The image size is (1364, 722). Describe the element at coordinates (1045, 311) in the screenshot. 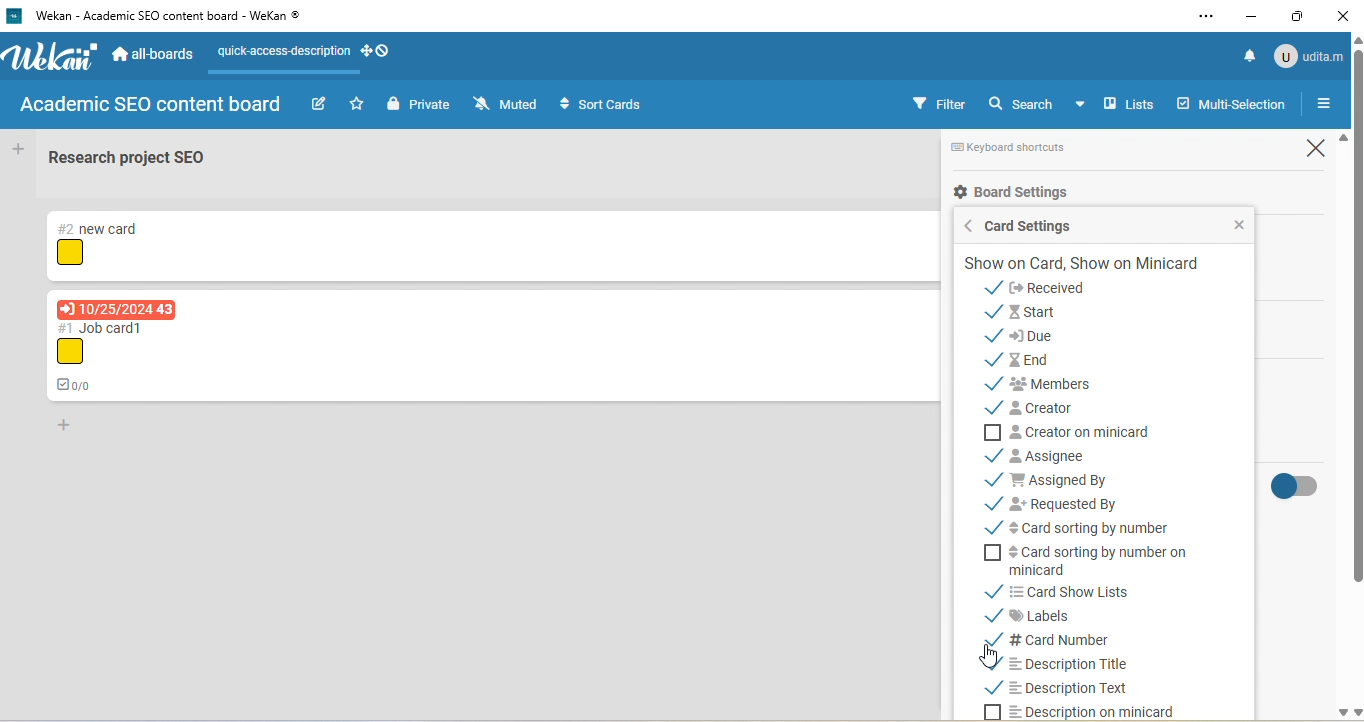

I see `start` at that location.